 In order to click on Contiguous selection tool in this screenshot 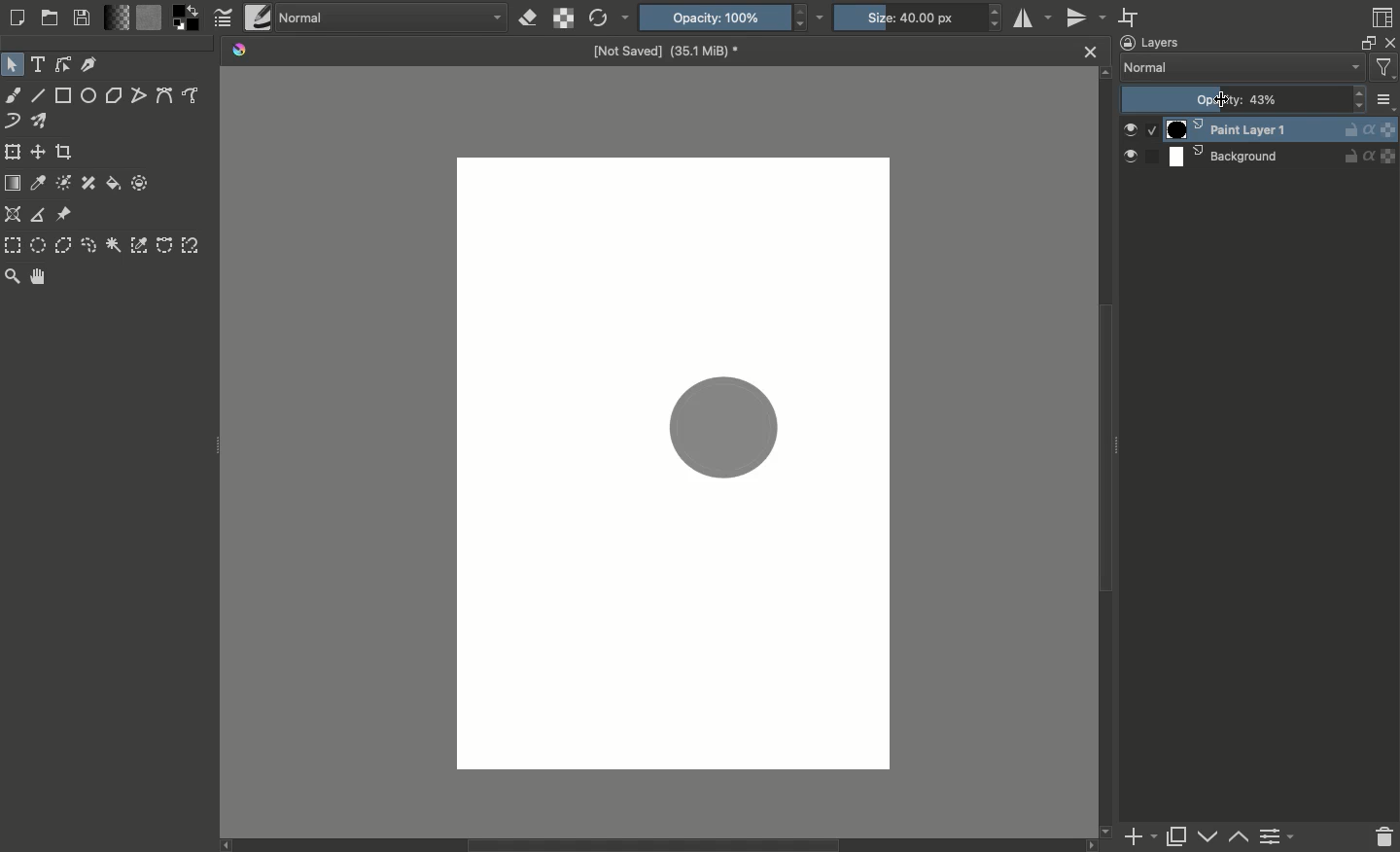, I will do `click(112, 245)`.